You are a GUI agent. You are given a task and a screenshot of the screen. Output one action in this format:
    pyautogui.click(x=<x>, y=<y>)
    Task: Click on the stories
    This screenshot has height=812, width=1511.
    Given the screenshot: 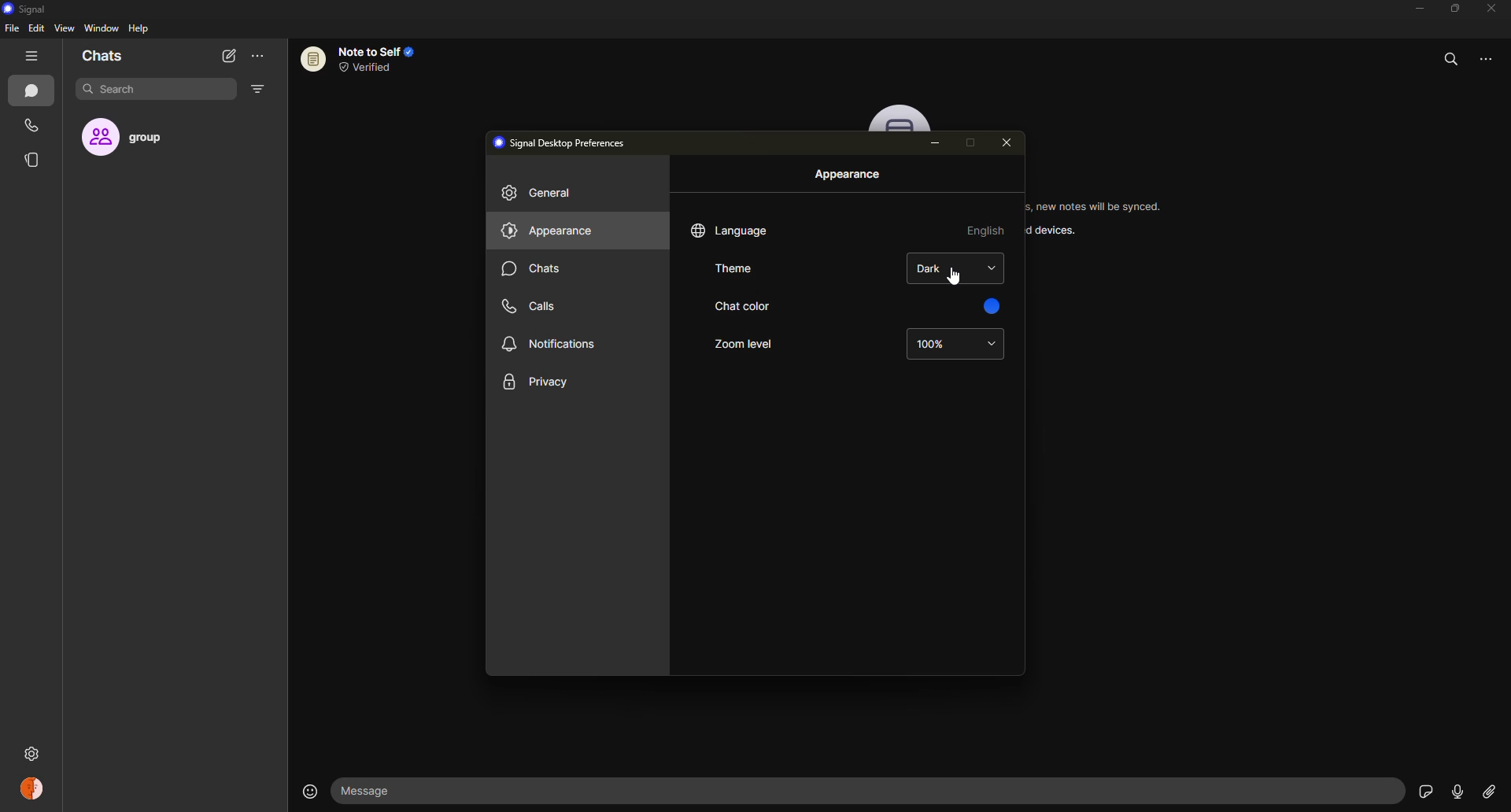 What is the action you would take?
    pyautogui.click(x=36, y=160)
    